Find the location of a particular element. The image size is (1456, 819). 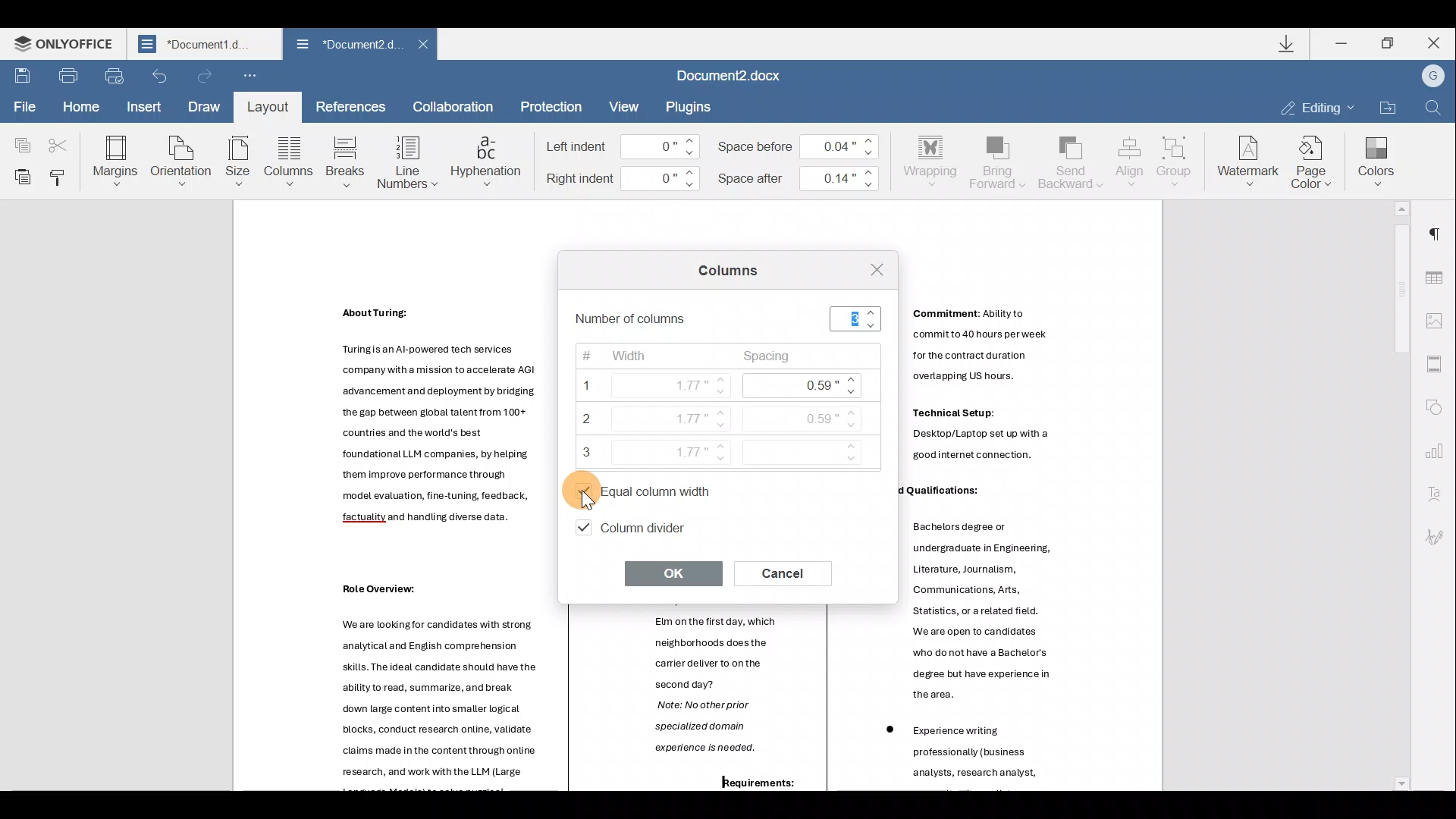

Colors is located at coordinates (1376, 157).